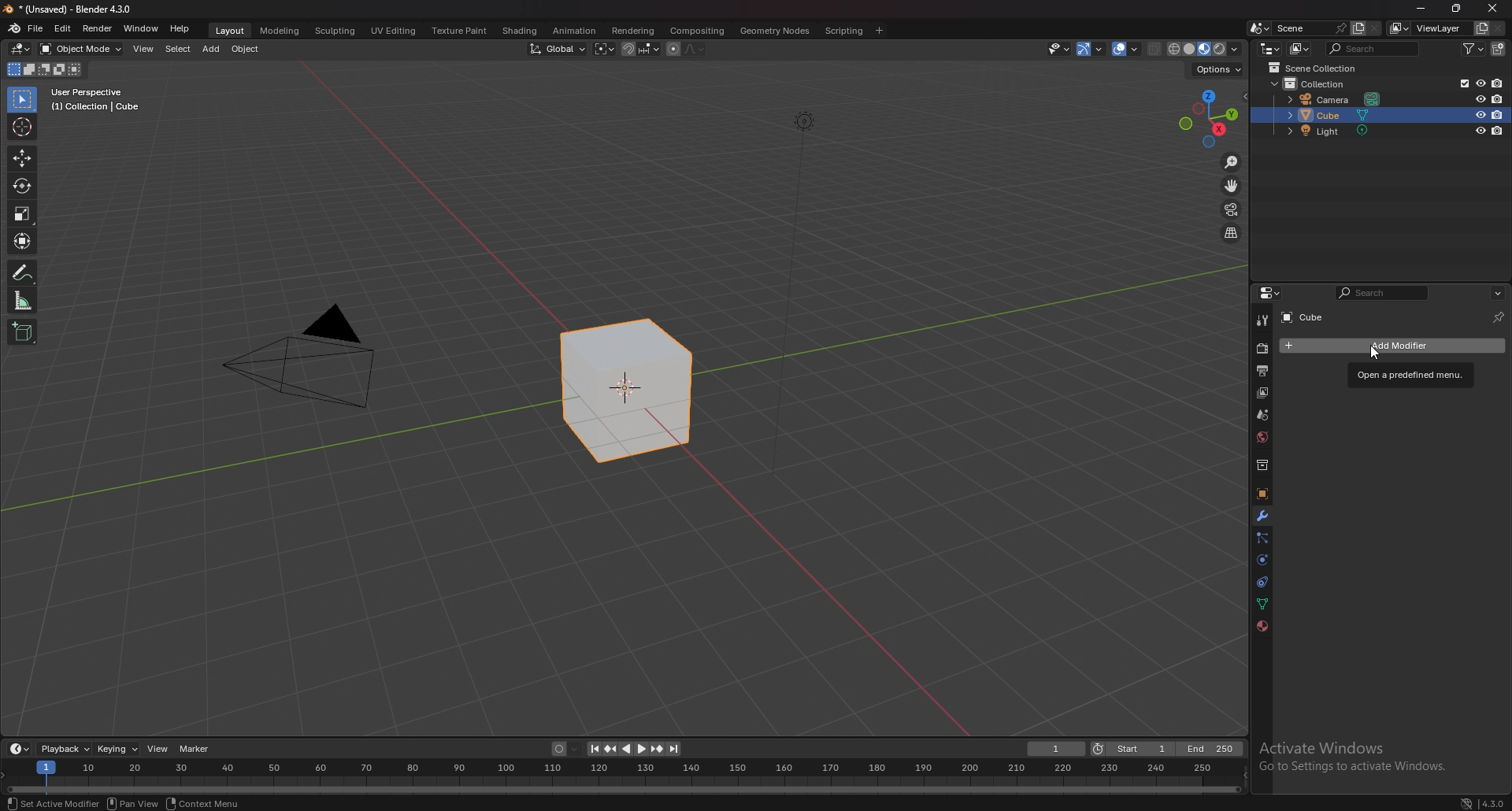 The height and width of the screenshot is (811, 1512). What do you see at coordinates (1319, 68) in the screenshot?
I see `scene collection` at bounding box center [1319, 68].